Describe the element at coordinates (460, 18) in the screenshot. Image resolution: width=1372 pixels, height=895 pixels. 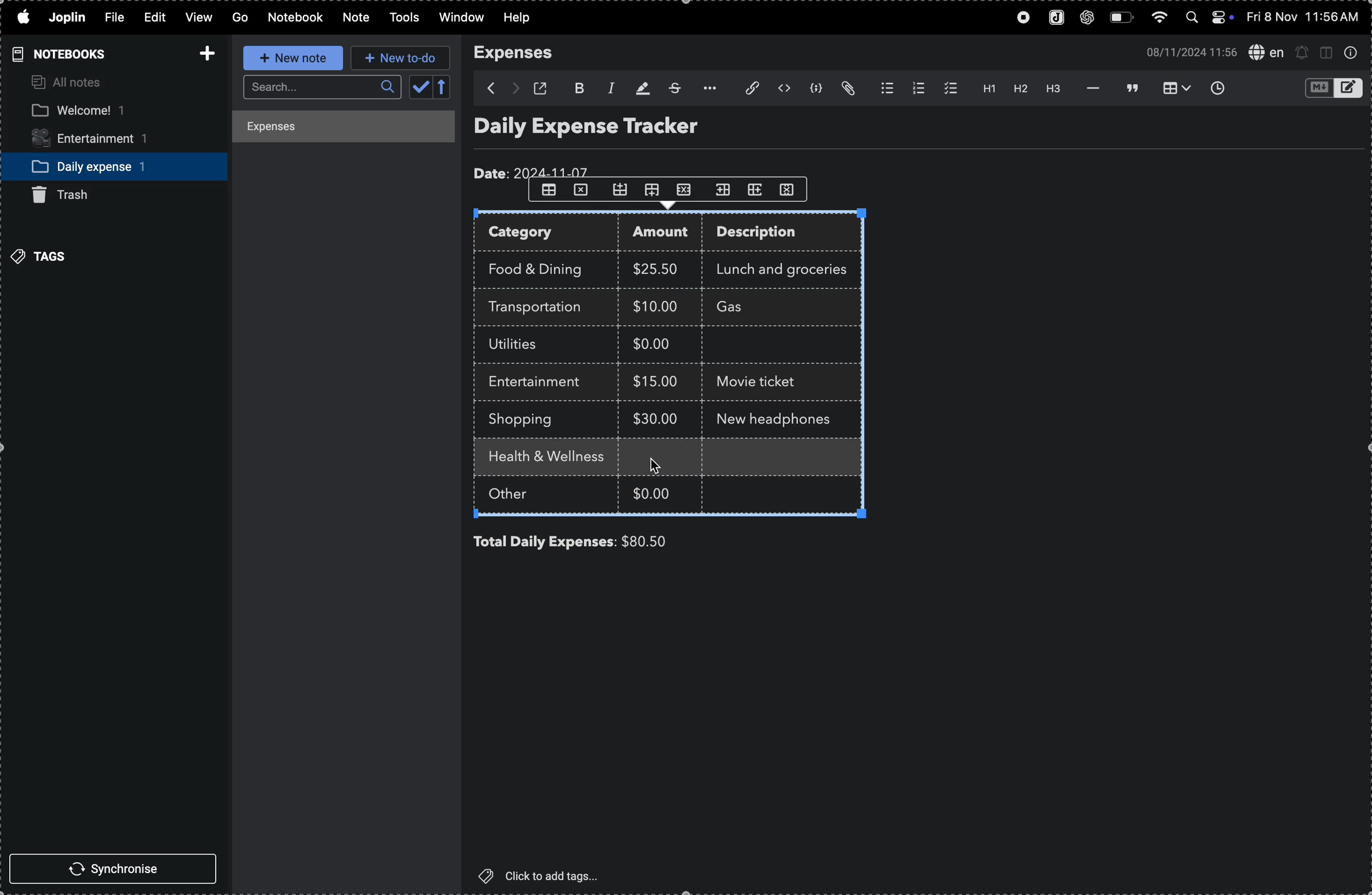
I see `window` at that location.